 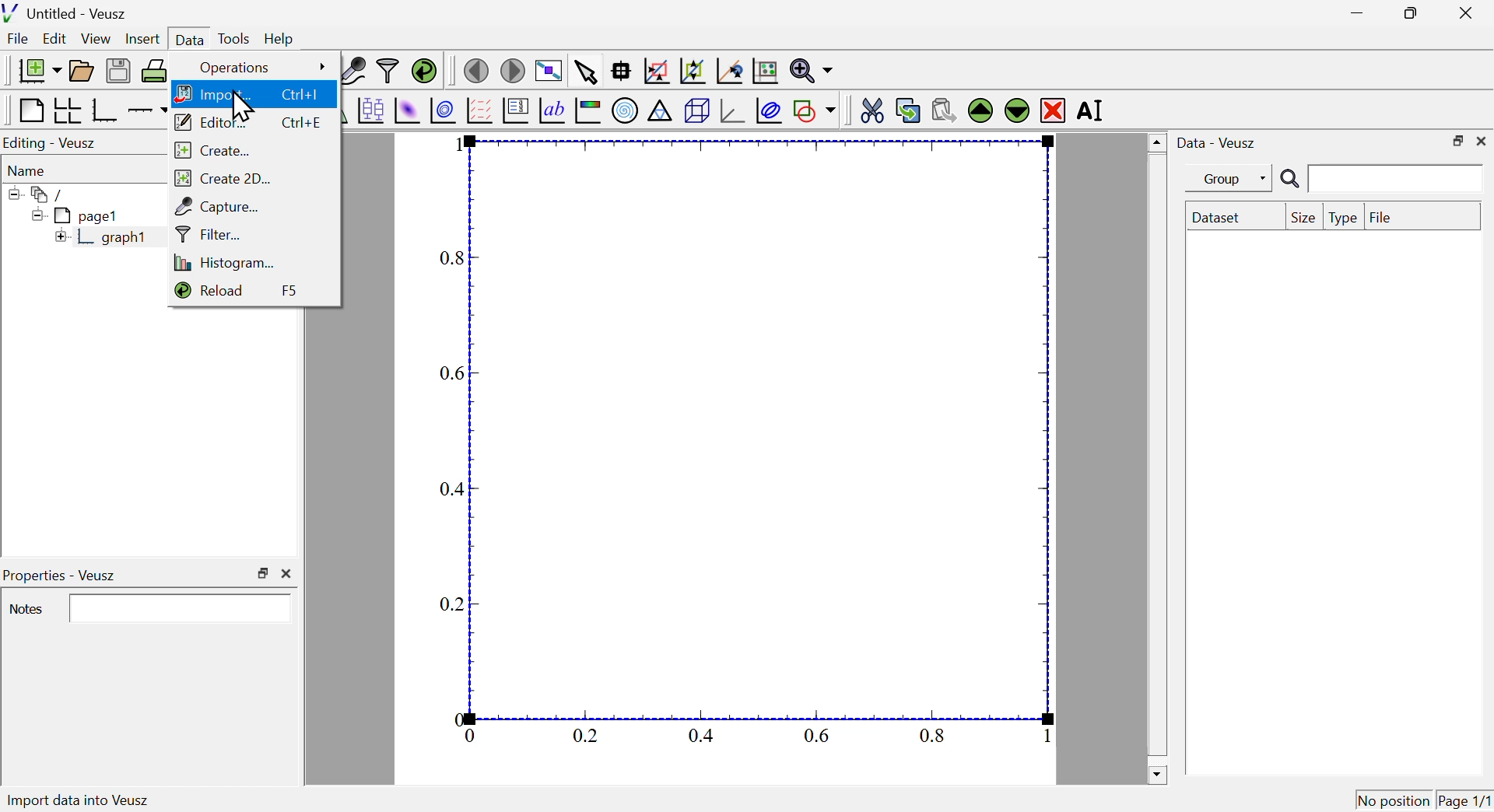 I want to click on import... Ctrl+1, so click(x=249, y=93).